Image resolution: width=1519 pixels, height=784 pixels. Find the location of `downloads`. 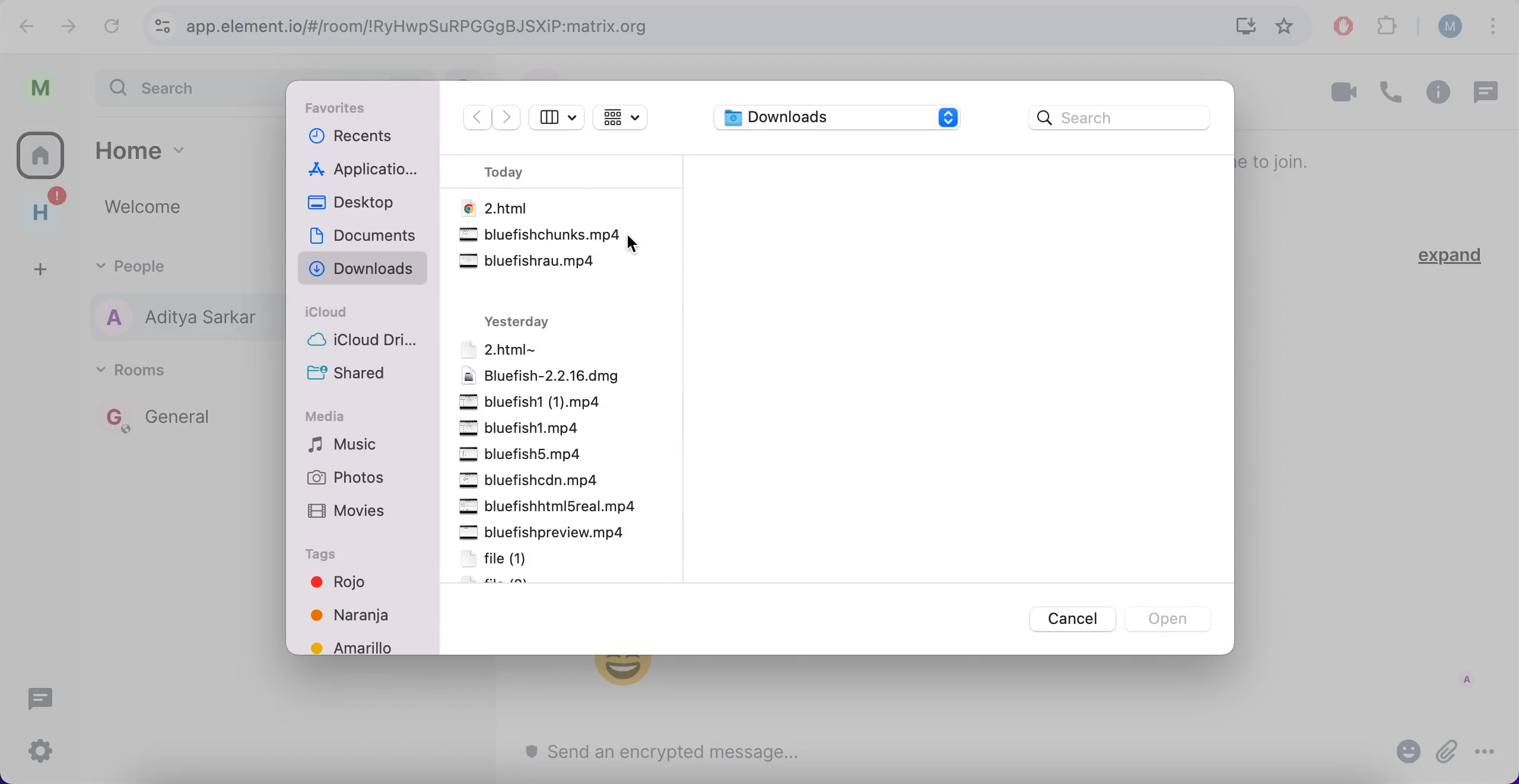

downloads is located at coordinates (840, 118).